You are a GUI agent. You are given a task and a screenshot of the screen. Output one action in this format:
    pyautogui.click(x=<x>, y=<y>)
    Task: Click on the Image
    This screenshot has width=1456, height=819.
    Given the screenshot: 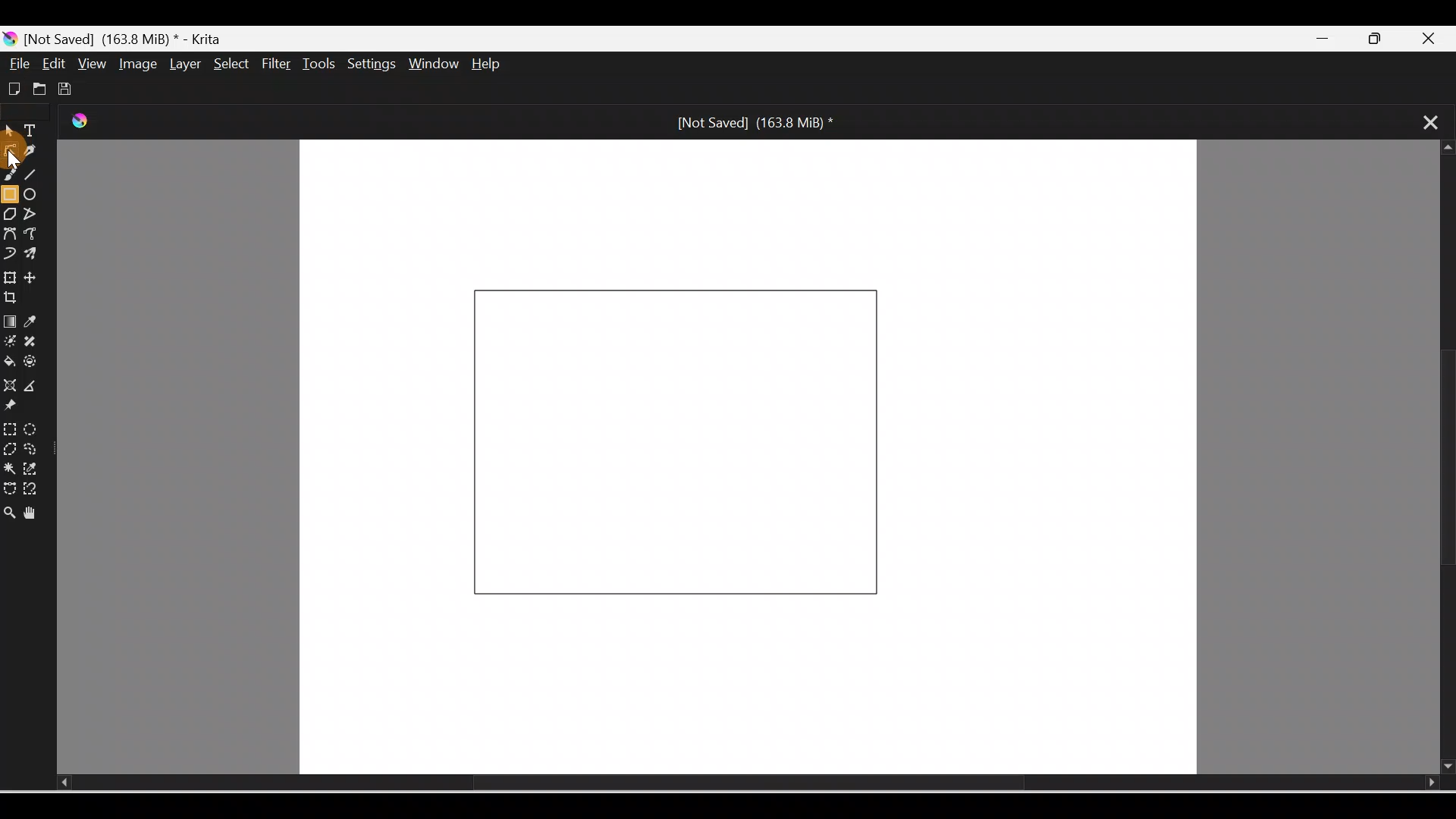 What is the action you would take?
    pyautogui.click(x=135, y=64)
    